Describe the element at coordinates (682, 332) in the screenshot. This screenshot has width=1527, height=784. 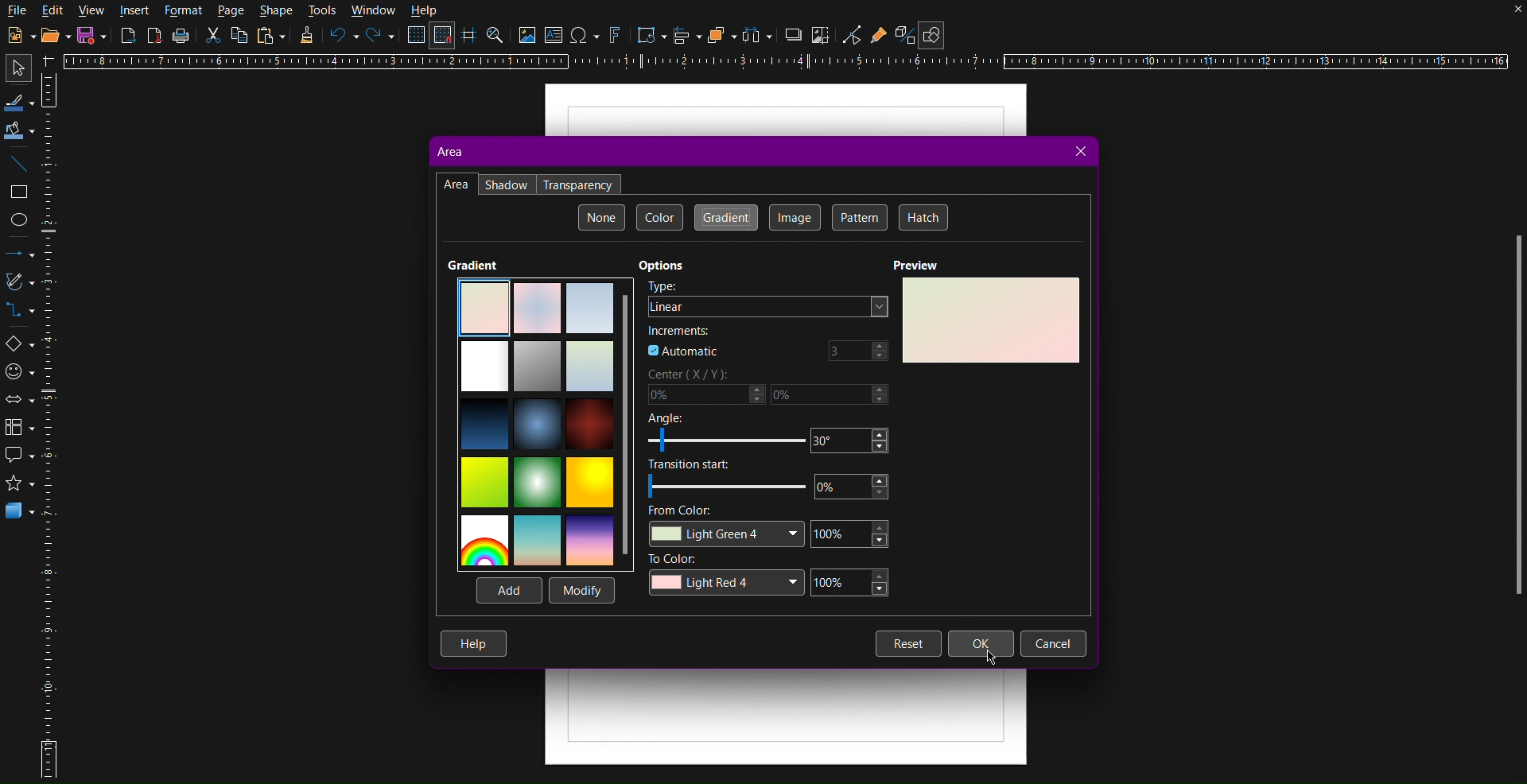
I see `Increments` at that location.